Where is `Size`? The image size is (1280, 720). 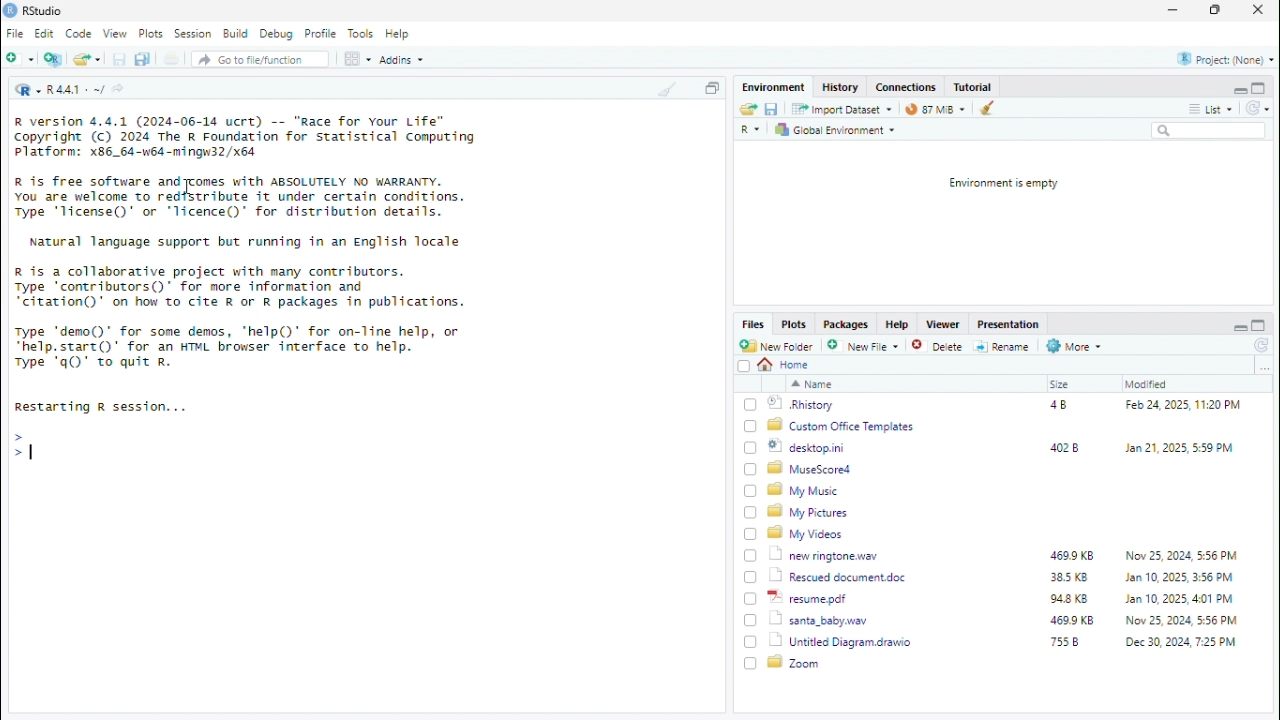 Size is located at coordinates (1061, 384).